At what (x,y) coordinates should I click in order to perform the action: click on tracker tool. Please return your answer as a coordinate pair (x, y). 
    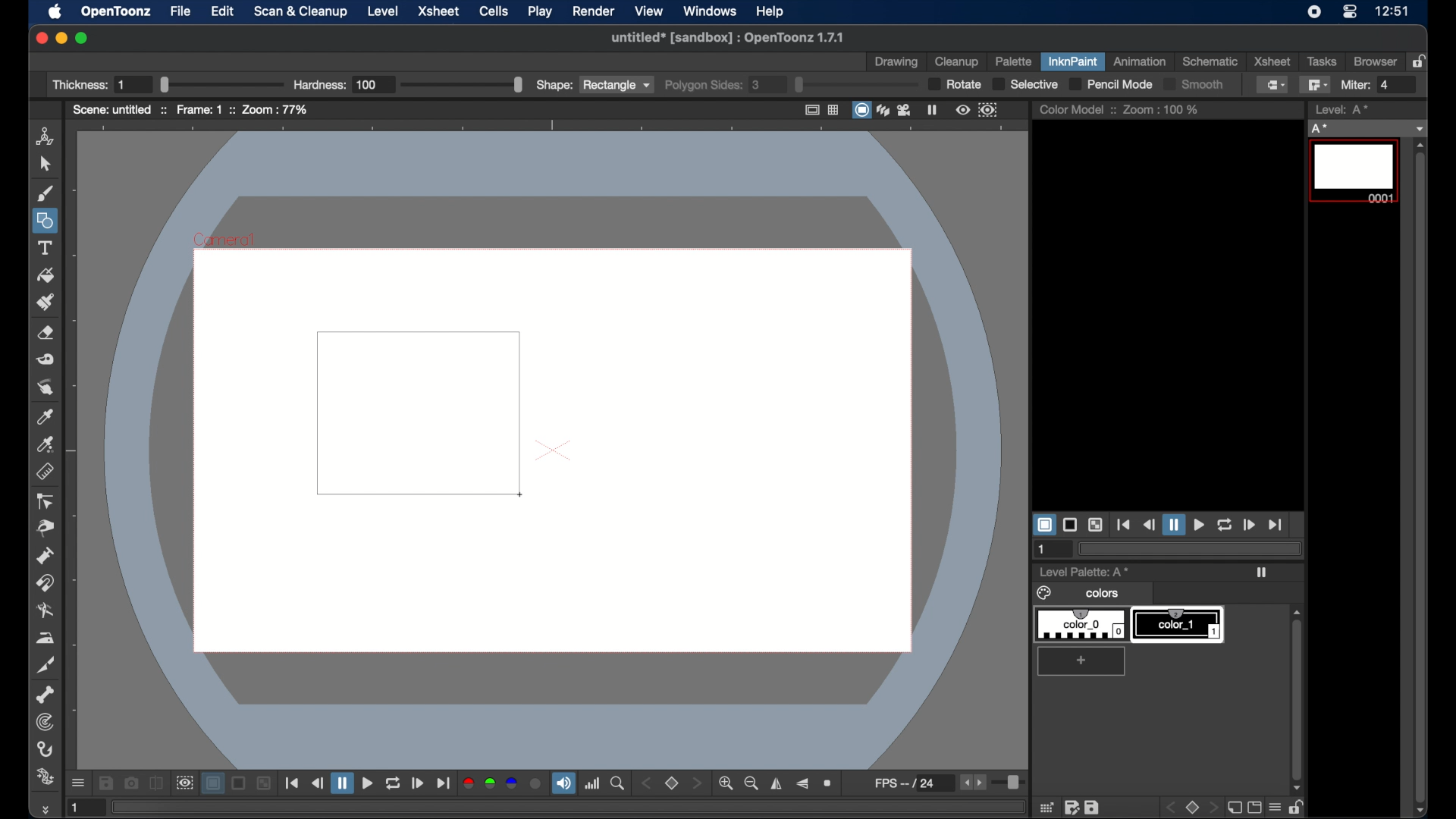
    Looking at the image, I should click on (45, 722).